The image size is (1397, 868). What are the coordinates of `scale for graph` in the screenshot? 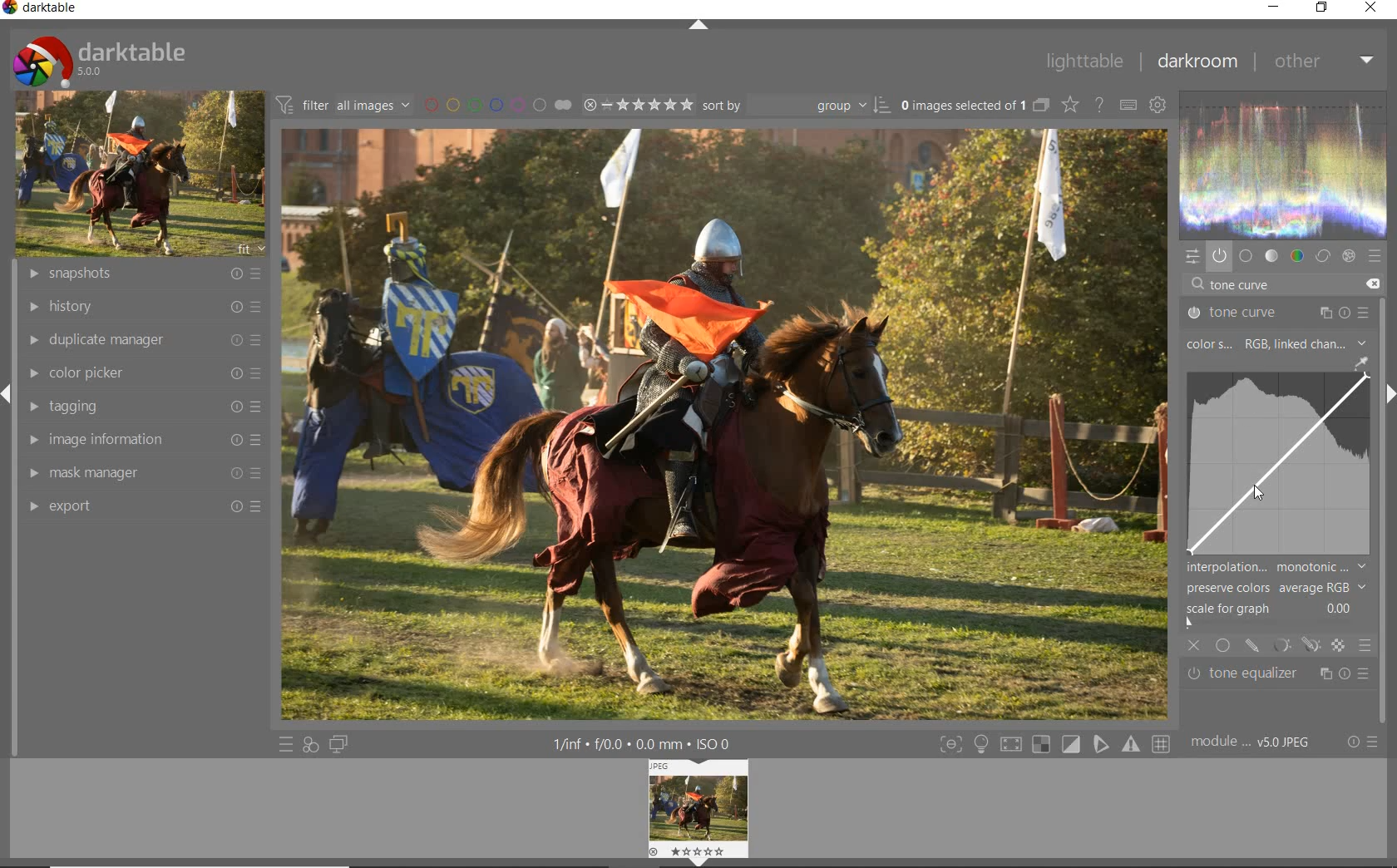 It's located at (1273, 609).